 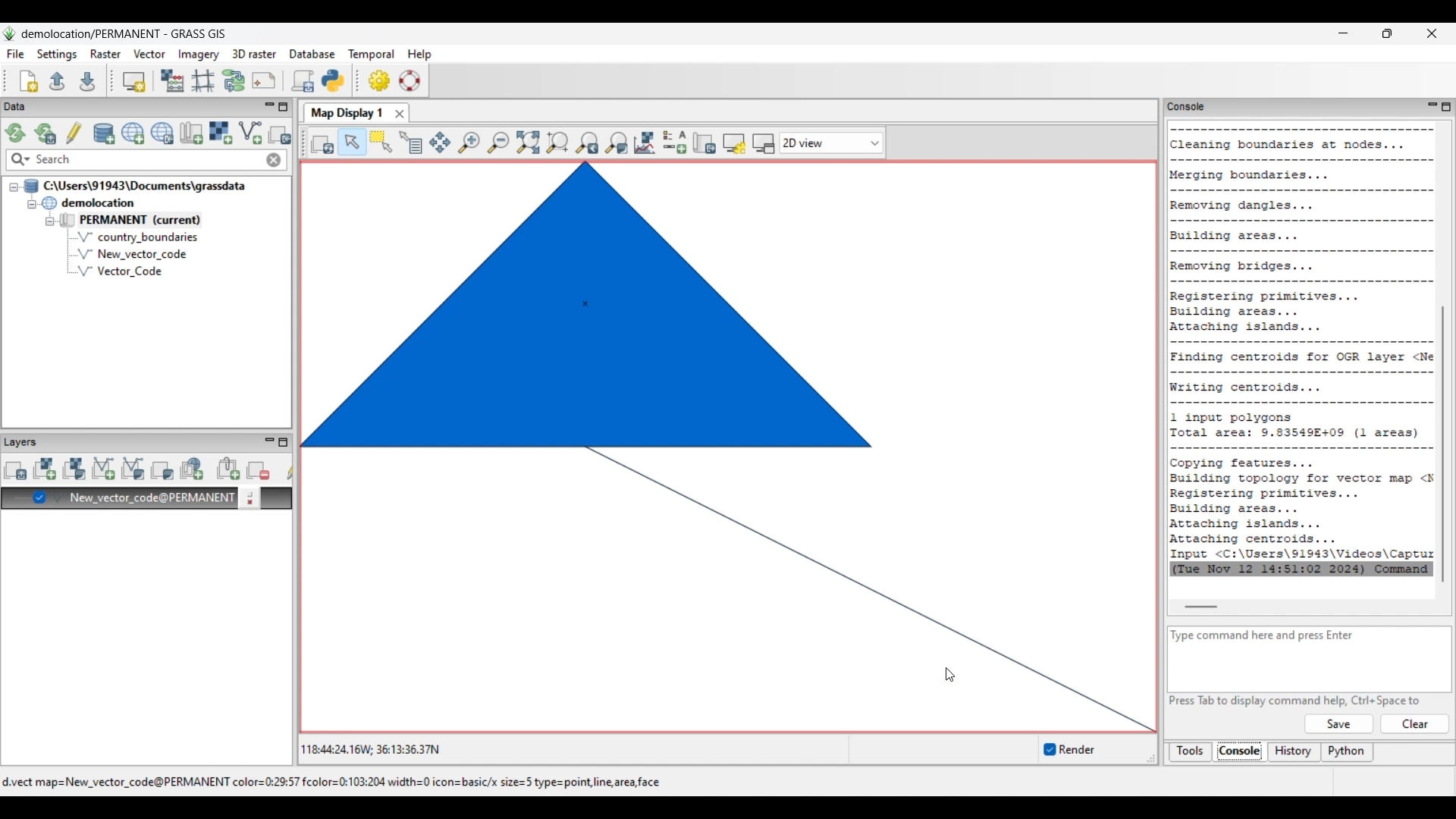 What do you see at coordinates (162, 470) in the screenshot?
I see `Add various overlays` at bounding box center [162, 470].